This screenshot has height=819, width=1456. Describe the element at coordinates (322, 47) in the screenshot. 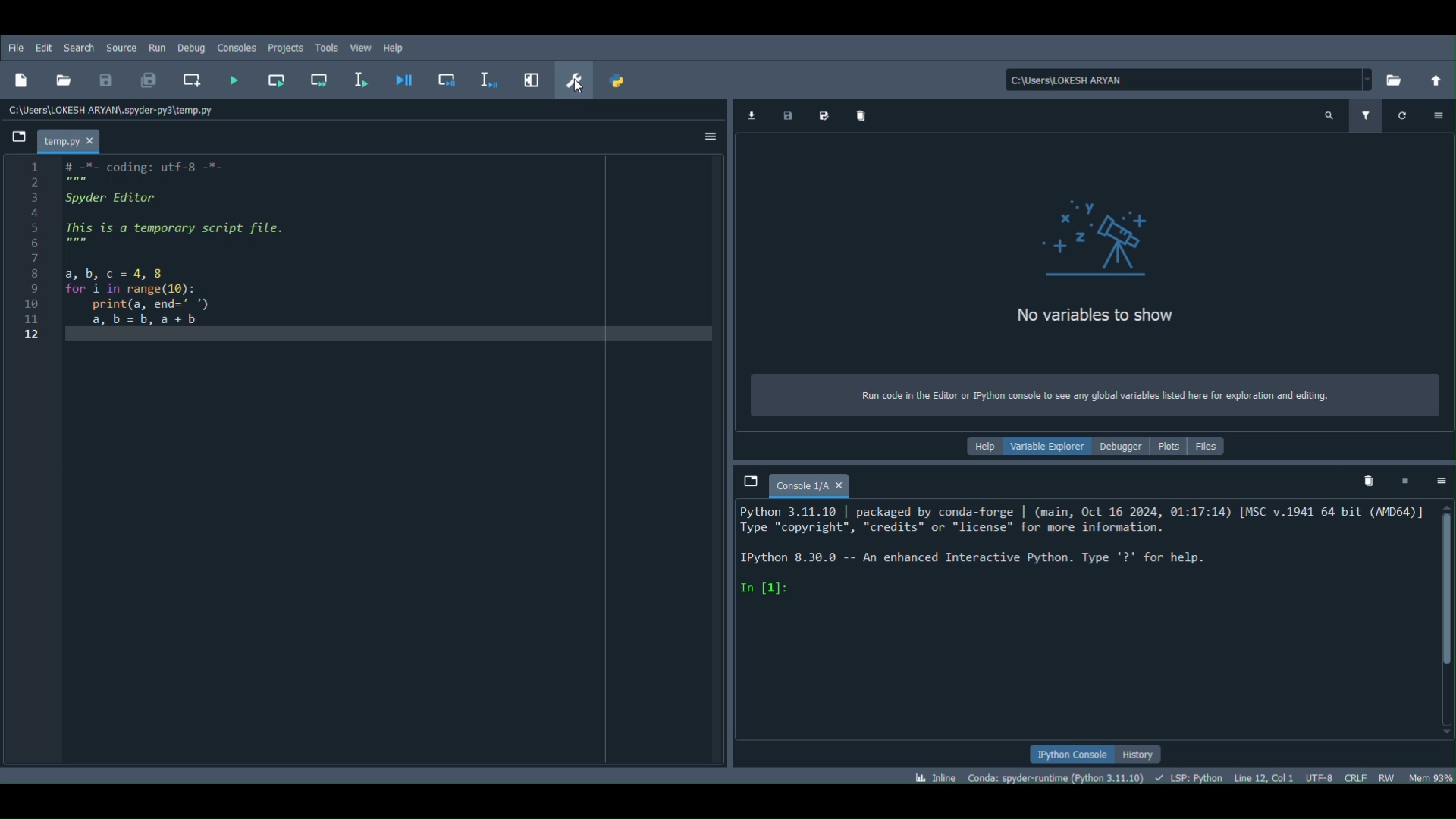

I see `Tools` at that location.